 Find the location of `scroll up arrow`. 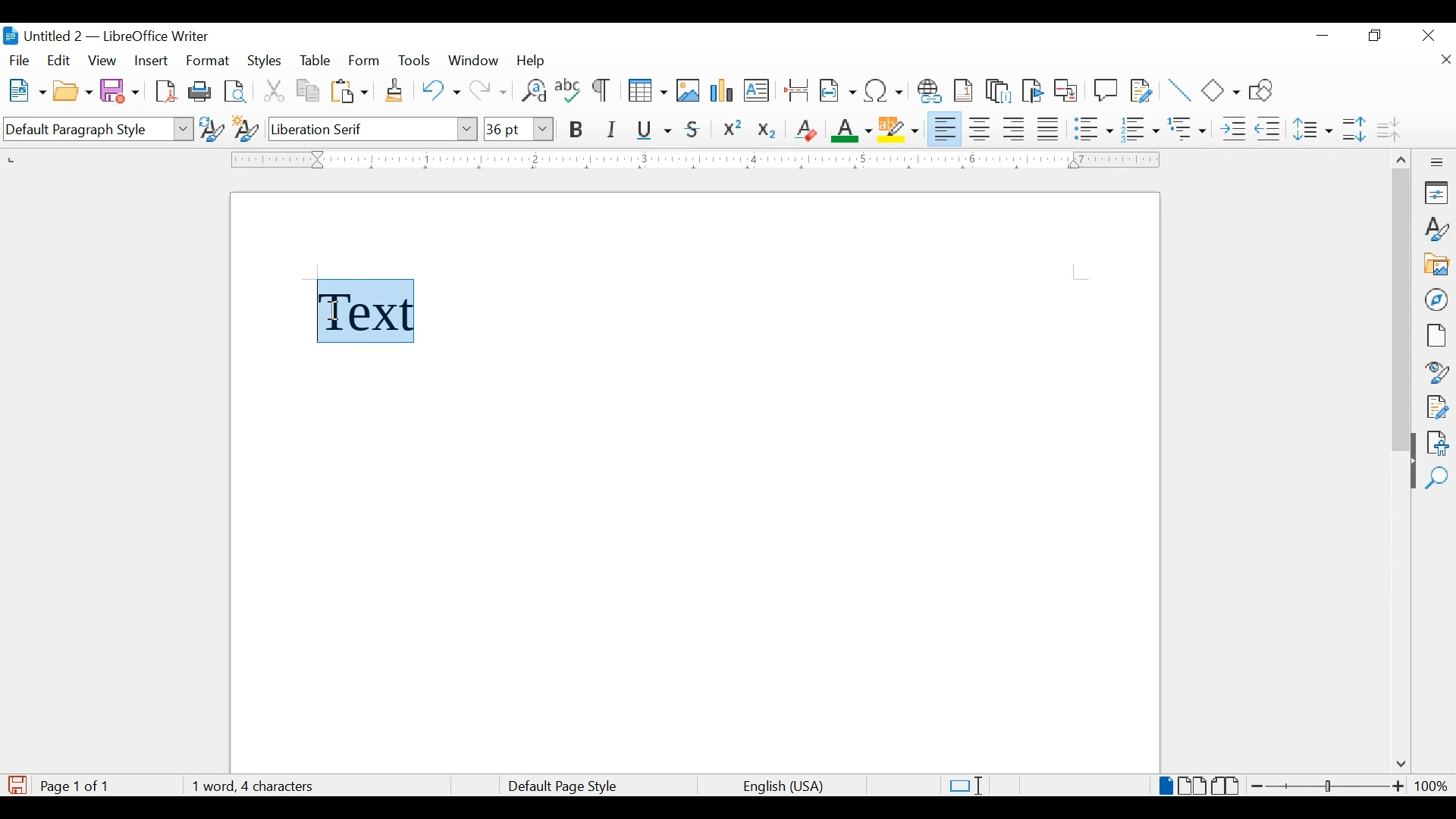

scroll up arrow is located at coordinates (1399, 157).